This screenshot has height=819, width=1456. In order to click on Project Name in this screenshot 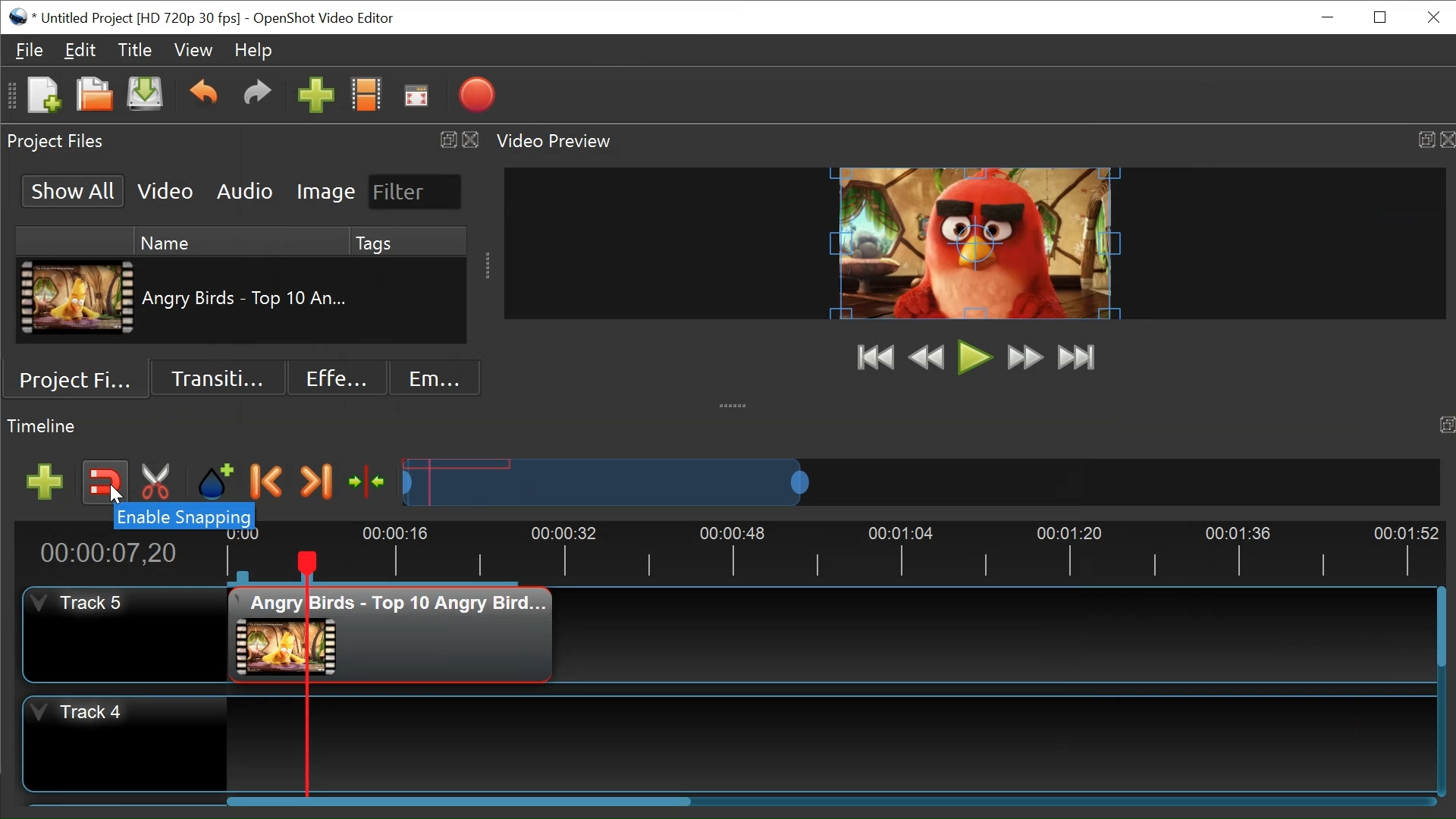, I will do `click(140, 17)`.